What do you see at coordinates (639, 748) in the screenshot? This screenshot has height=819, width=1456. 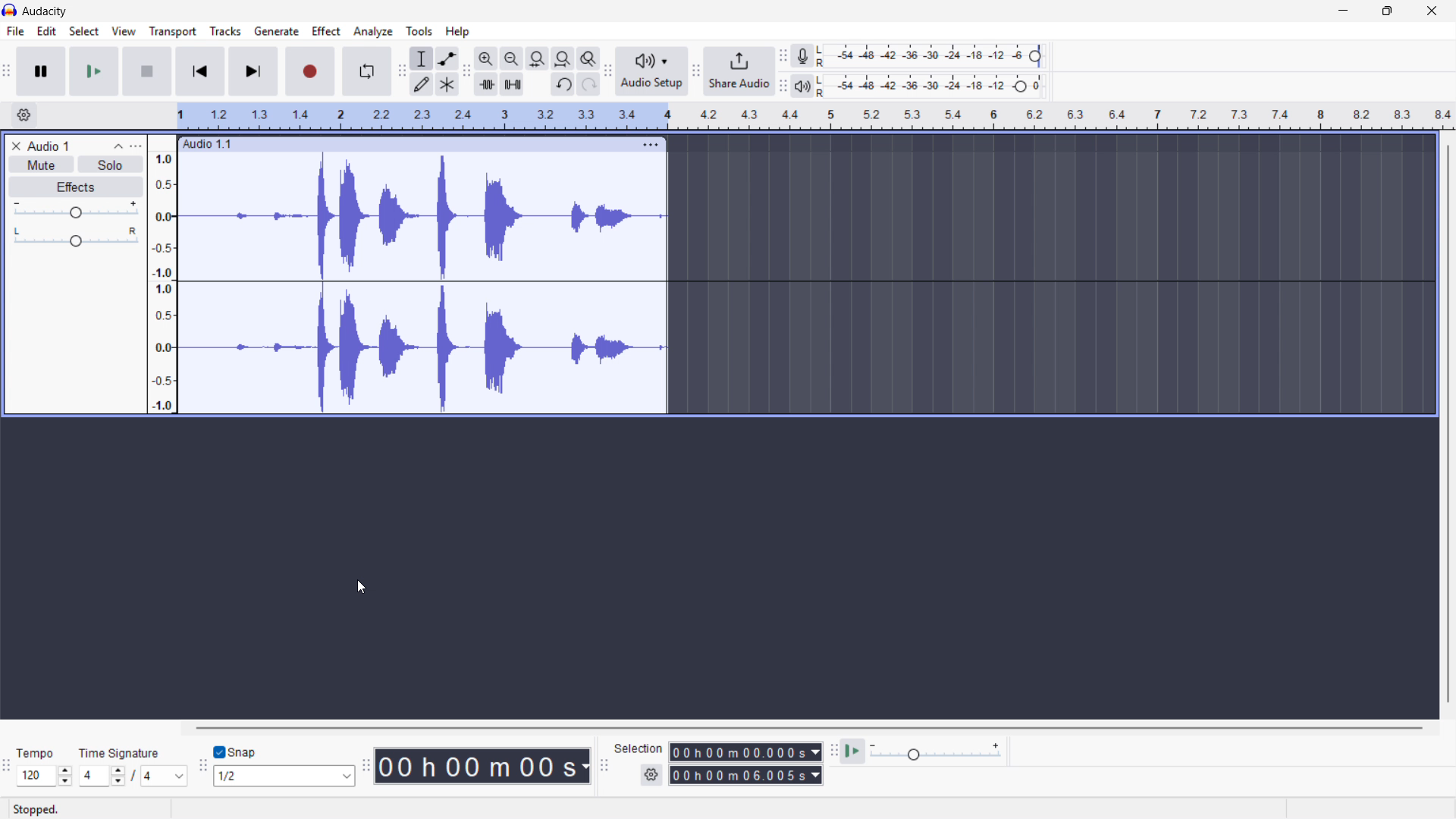 I see `selection` at bounding box center [639, 748].